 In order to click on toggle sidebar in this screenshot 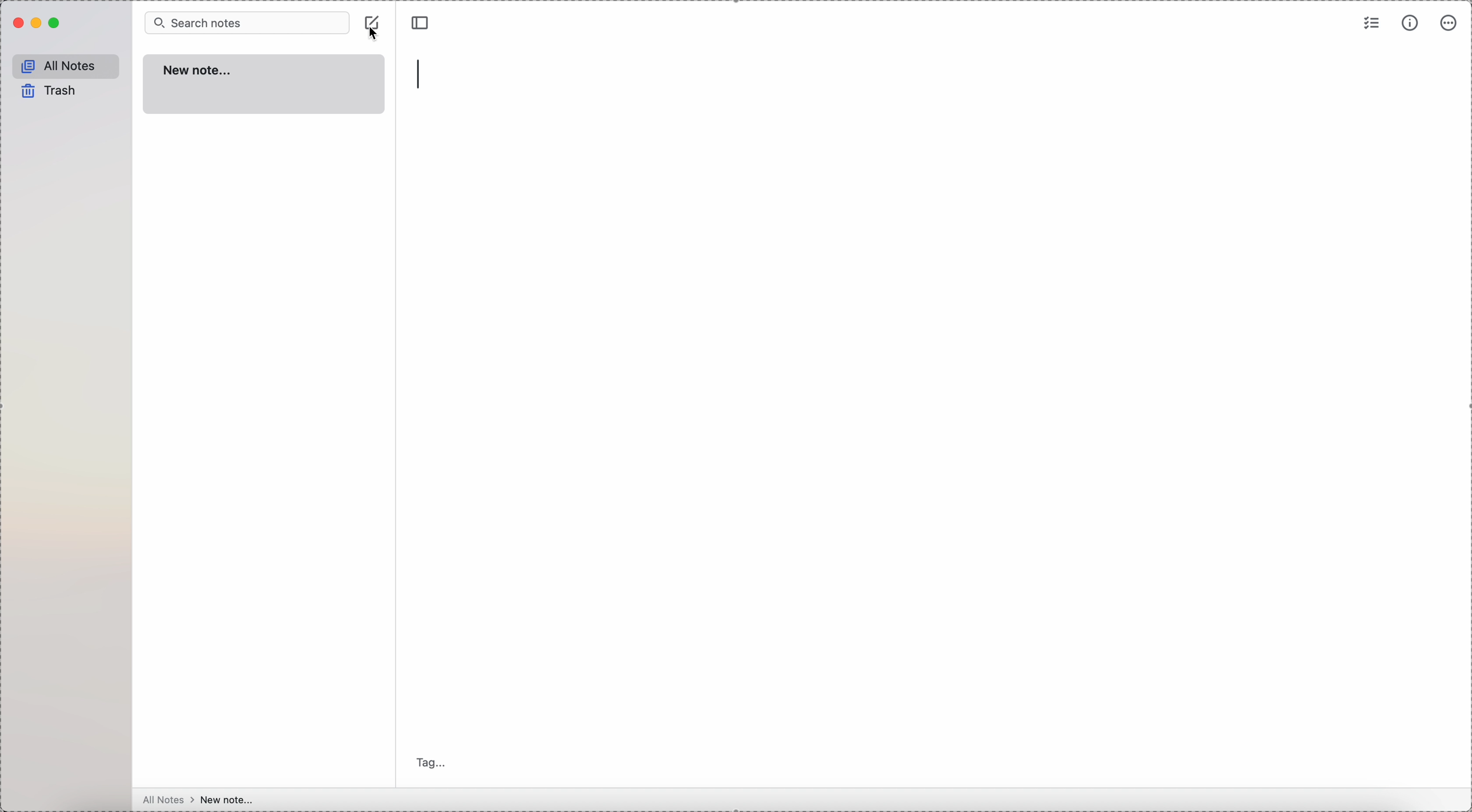, I will do `click(419, 23)`.